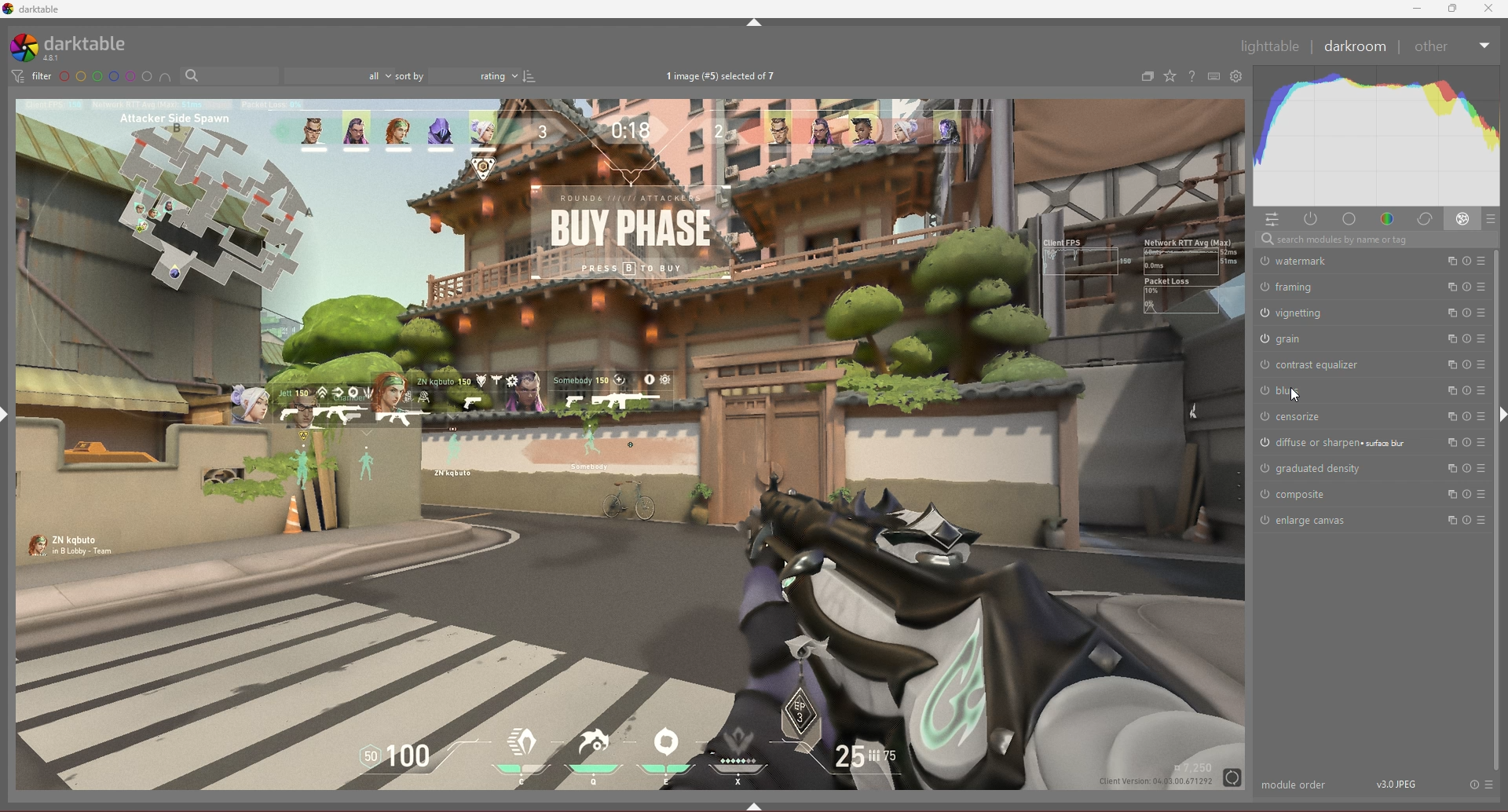 The image size is (1508, 812). Describe the element at coordinates (1191, 76) in the screenshot. I see `help` at that location.